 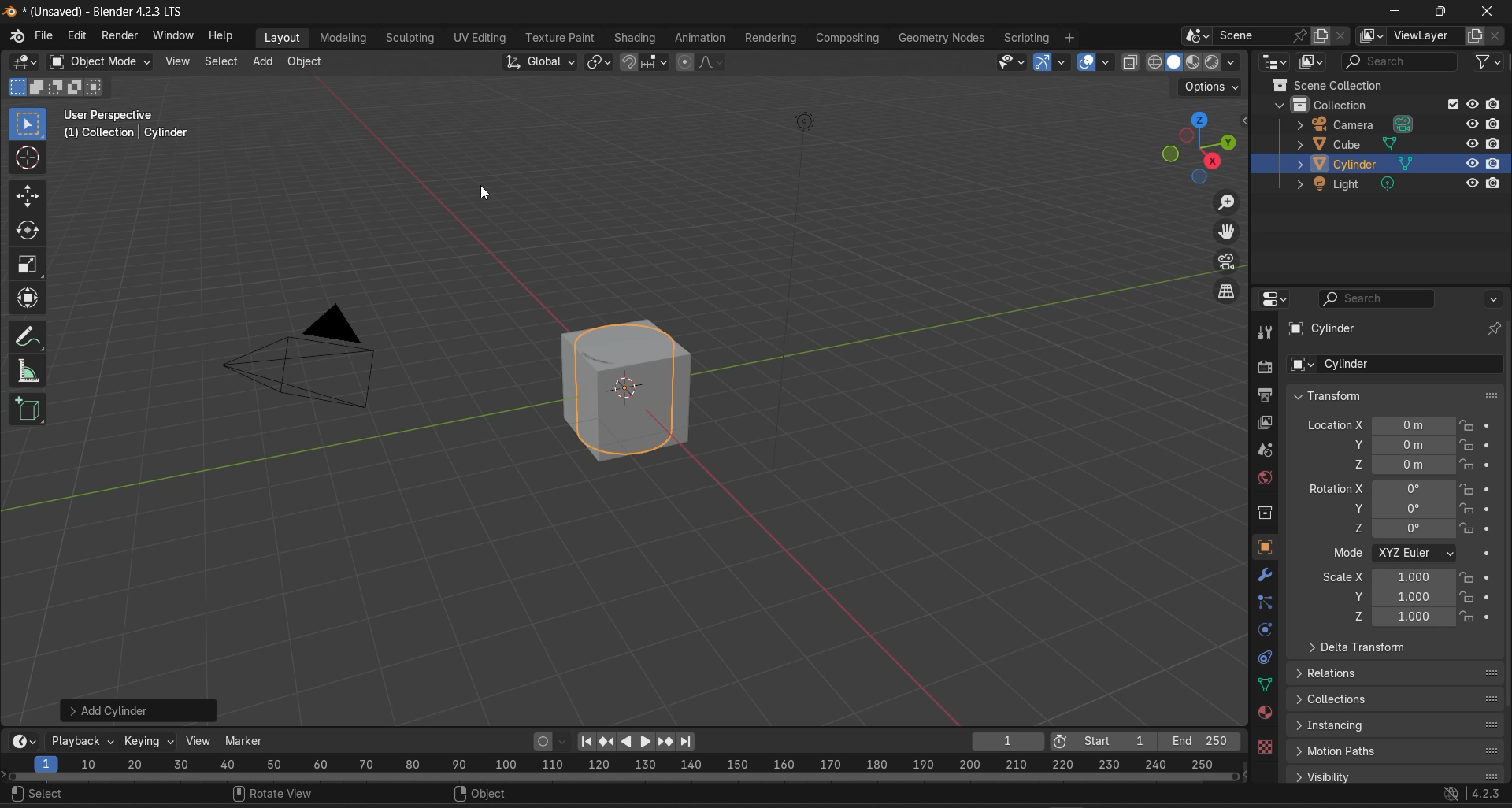 I want to click on switch the current view, so click(x=1224, y=291).